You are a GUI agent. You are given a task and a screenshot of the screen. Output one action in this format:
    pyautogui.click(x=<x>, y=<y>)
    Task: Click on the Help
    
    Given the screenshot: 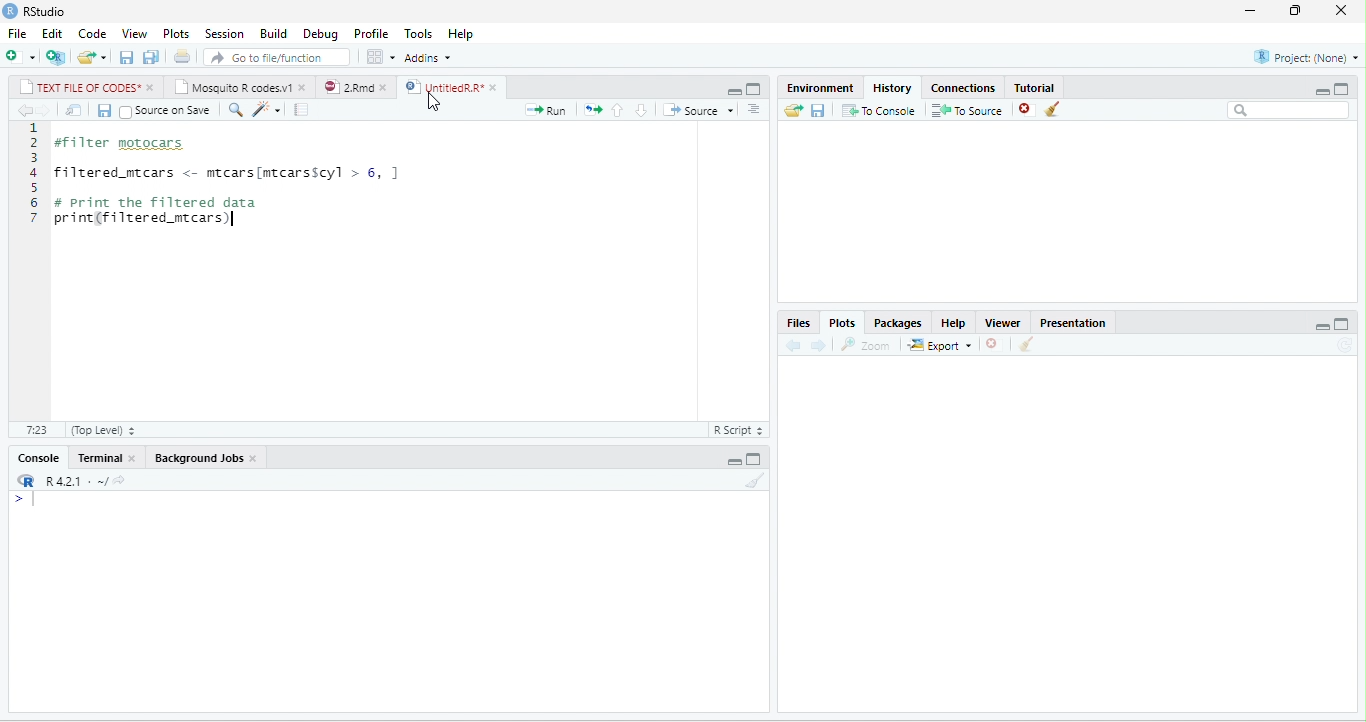 What is the action you would take?
    pyautogui.click(x=953, y=323)
    